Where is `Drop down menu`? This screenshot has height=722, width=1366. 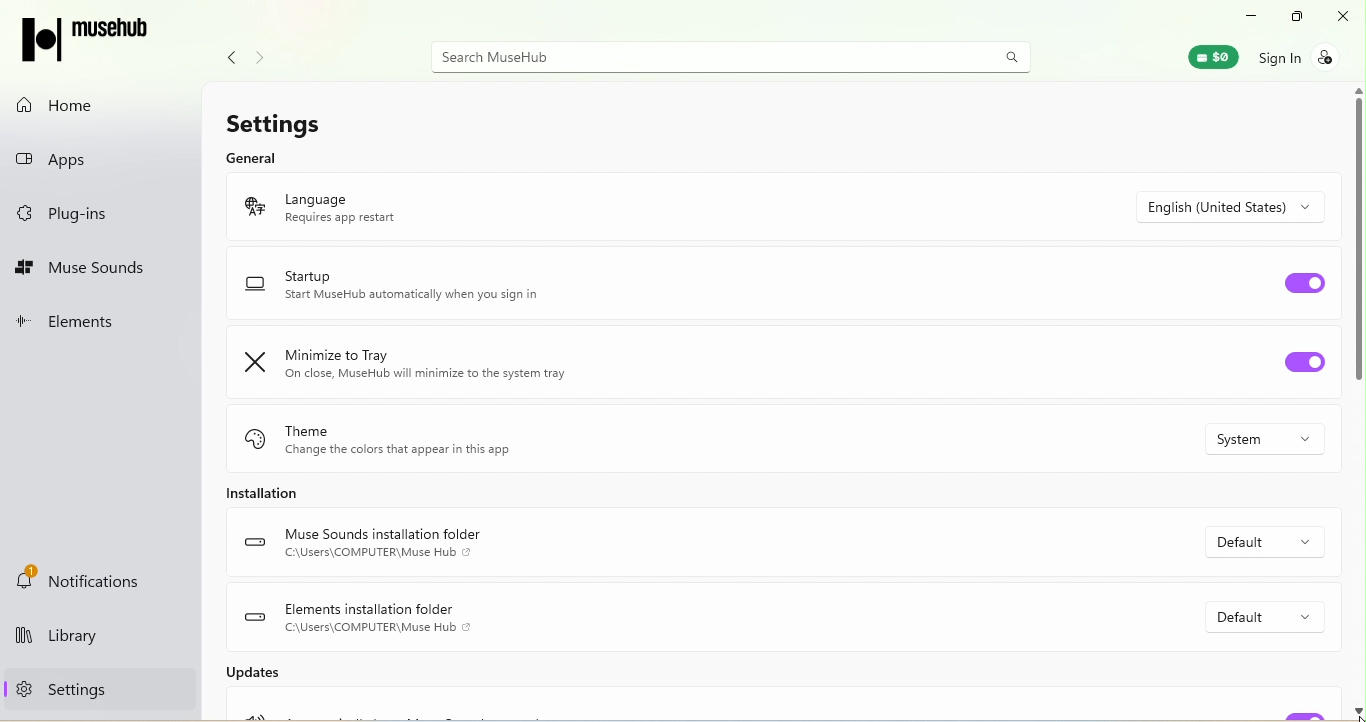 Drop down menu is located at coordinates (1259, 611).